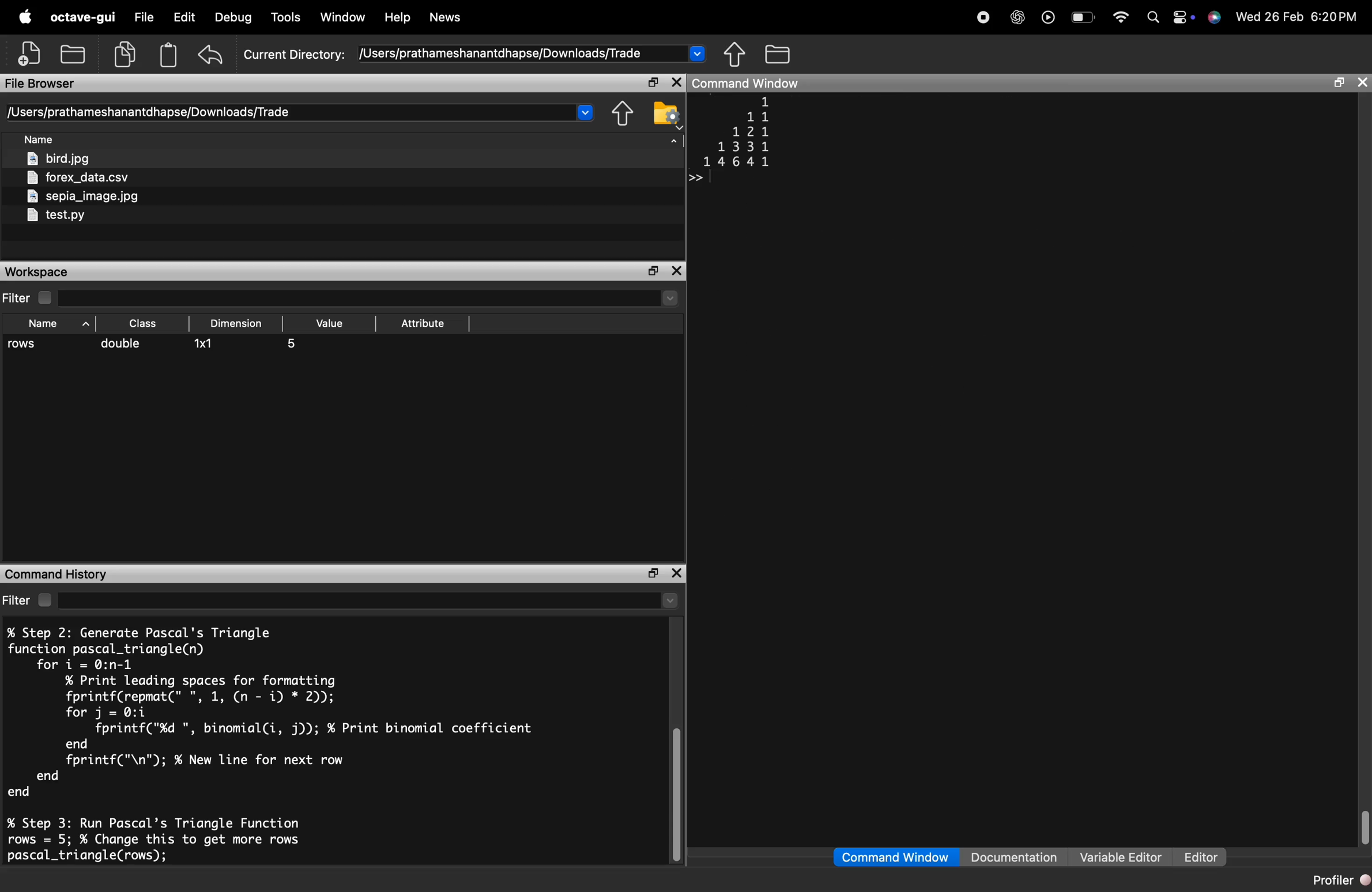 The height and width of the screenshot is (892, 1372). Describe the element at coordinates (747, 83) in the screenshot. I see `Command Window` at that location.